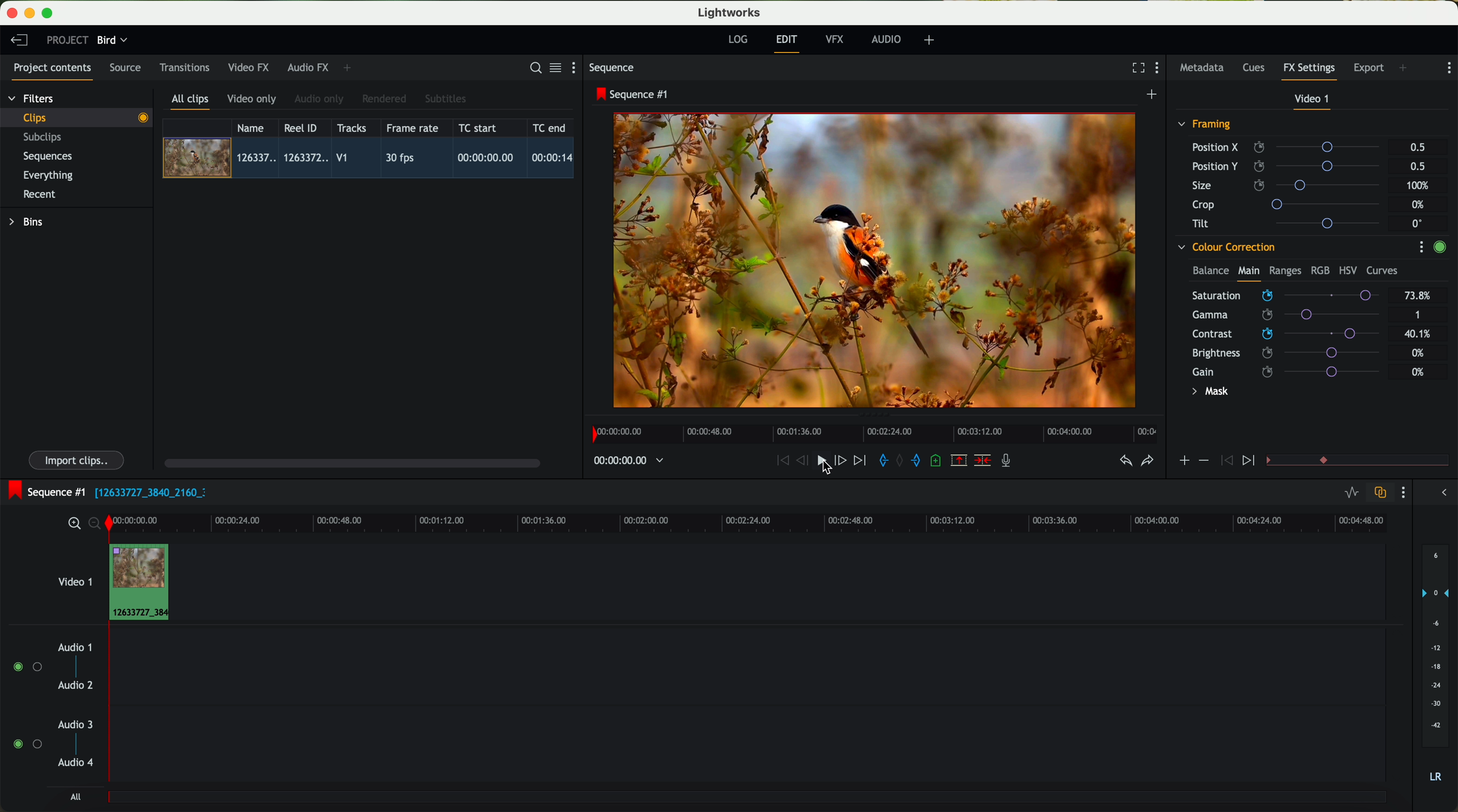  I want to click on add panel, so click(1406, 69).